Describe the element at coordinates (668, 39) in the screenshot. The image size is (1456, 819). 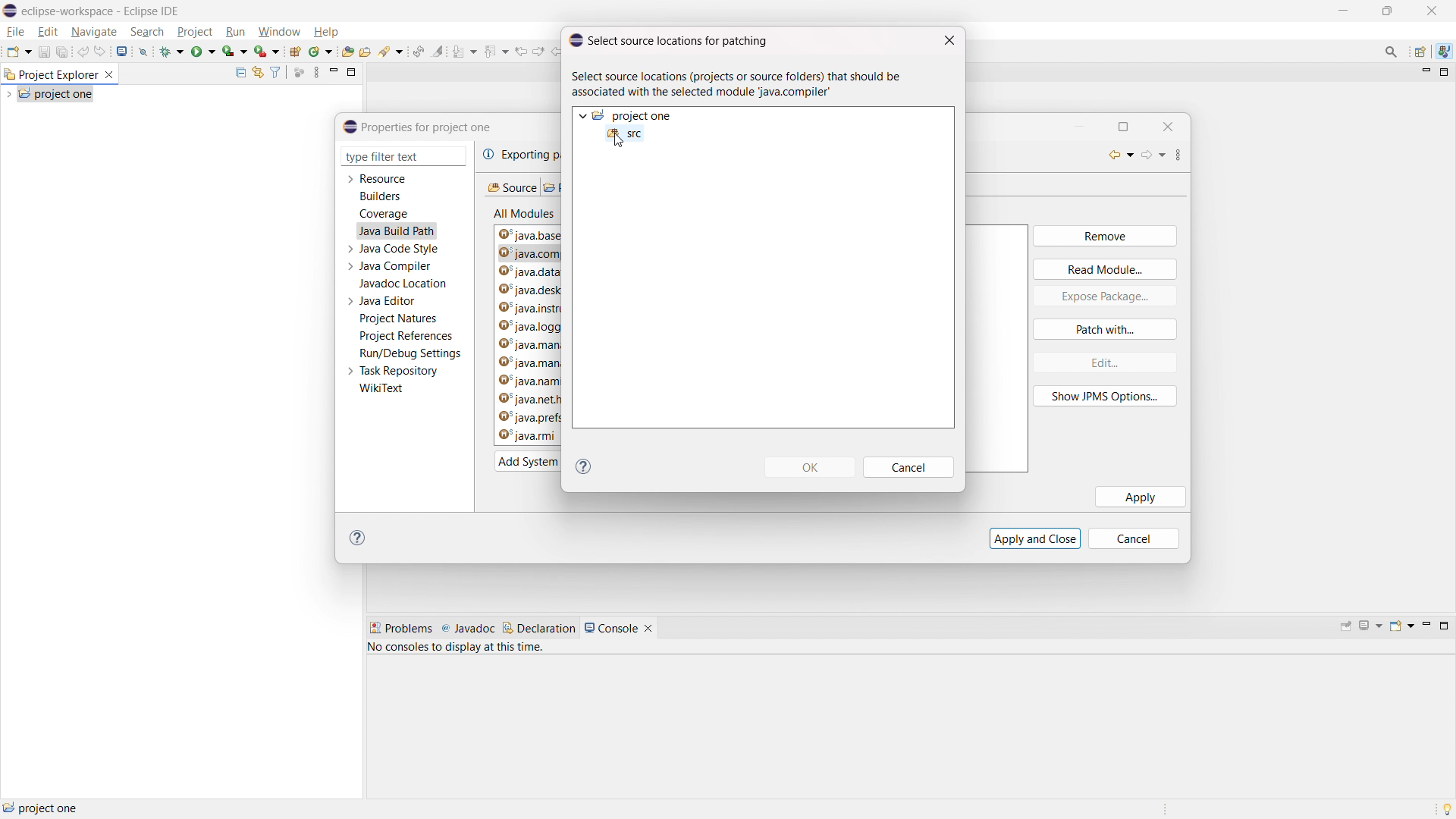
I see `select source locations for patching` at that location.